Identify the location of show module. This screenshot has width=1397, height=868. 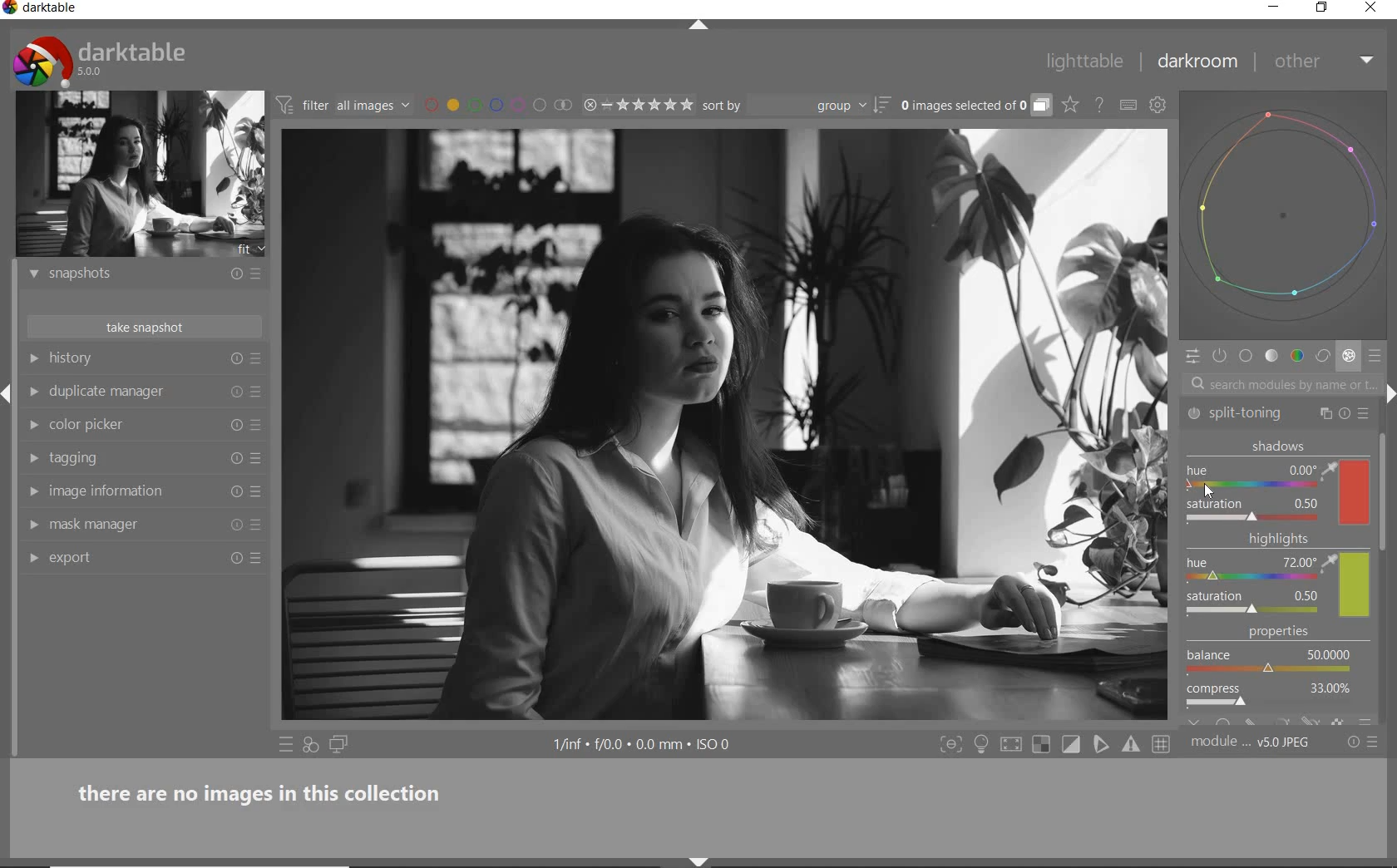
(32, 525).